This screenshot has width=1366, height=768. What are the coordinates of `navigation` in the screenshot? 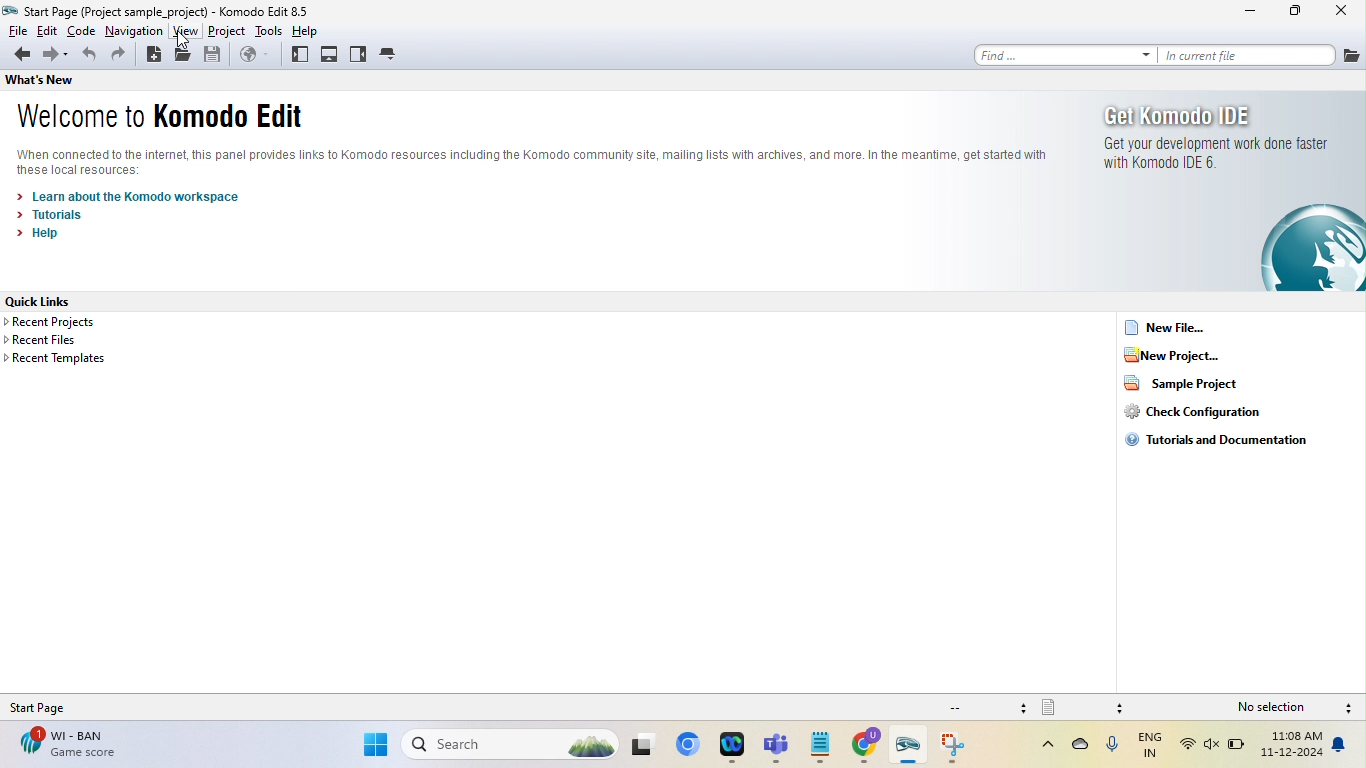 It's located at (134, 31).